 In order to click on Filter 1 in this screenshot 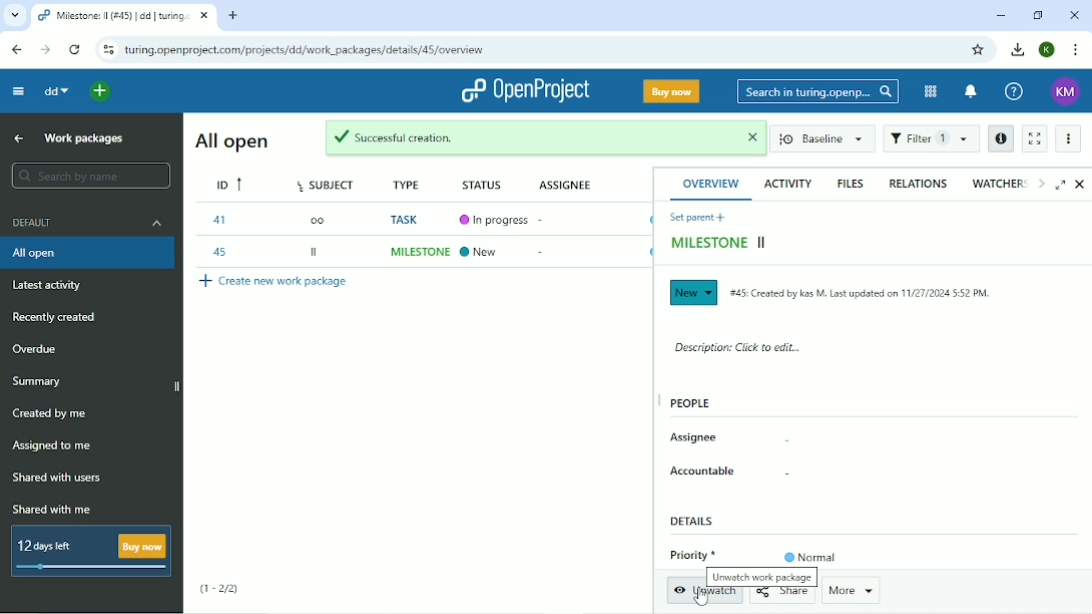, I will do `click(931, 139)`.